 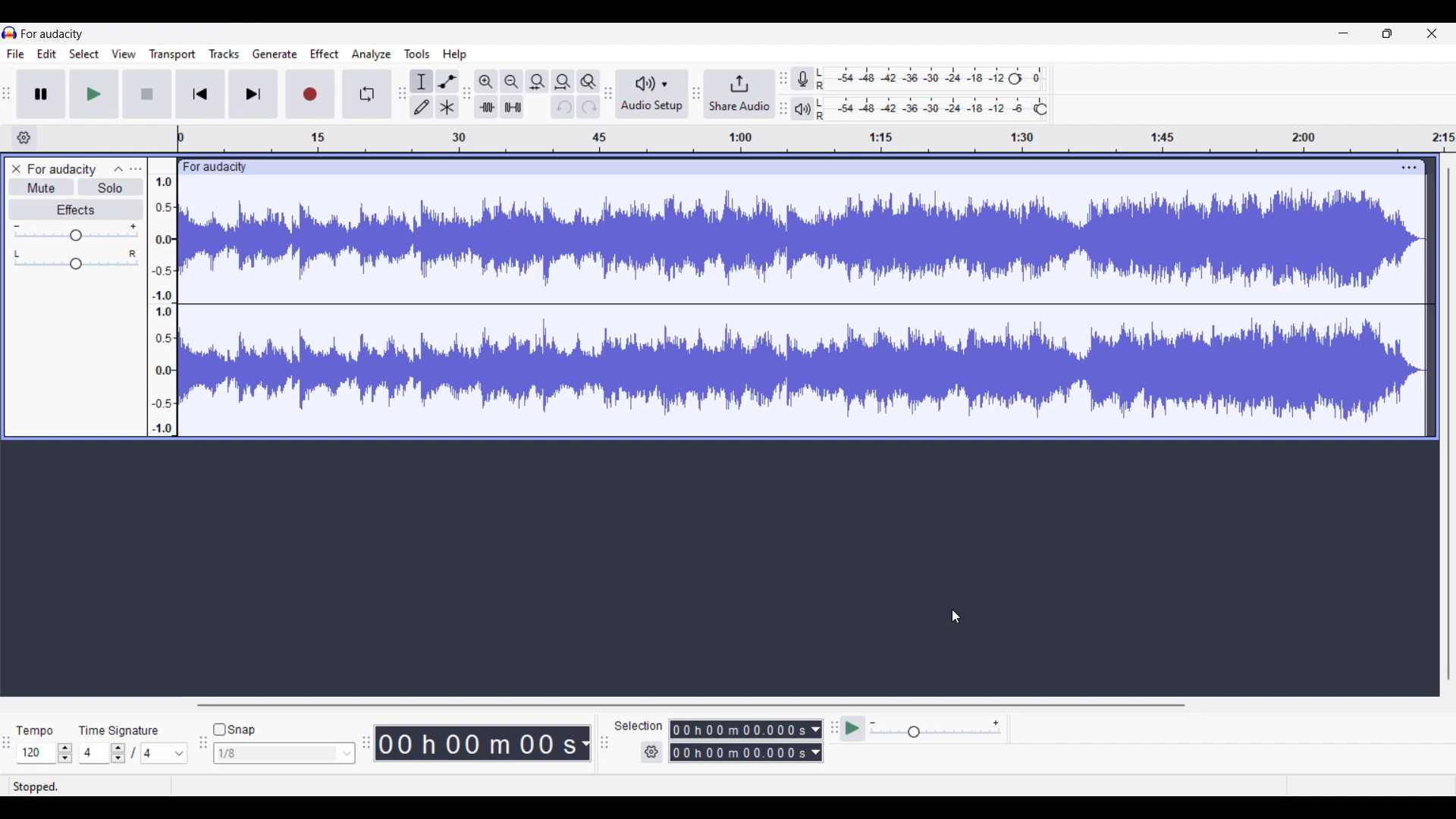 I want to click on Play at speed/Play at speed once, so click(x=852, y=728).